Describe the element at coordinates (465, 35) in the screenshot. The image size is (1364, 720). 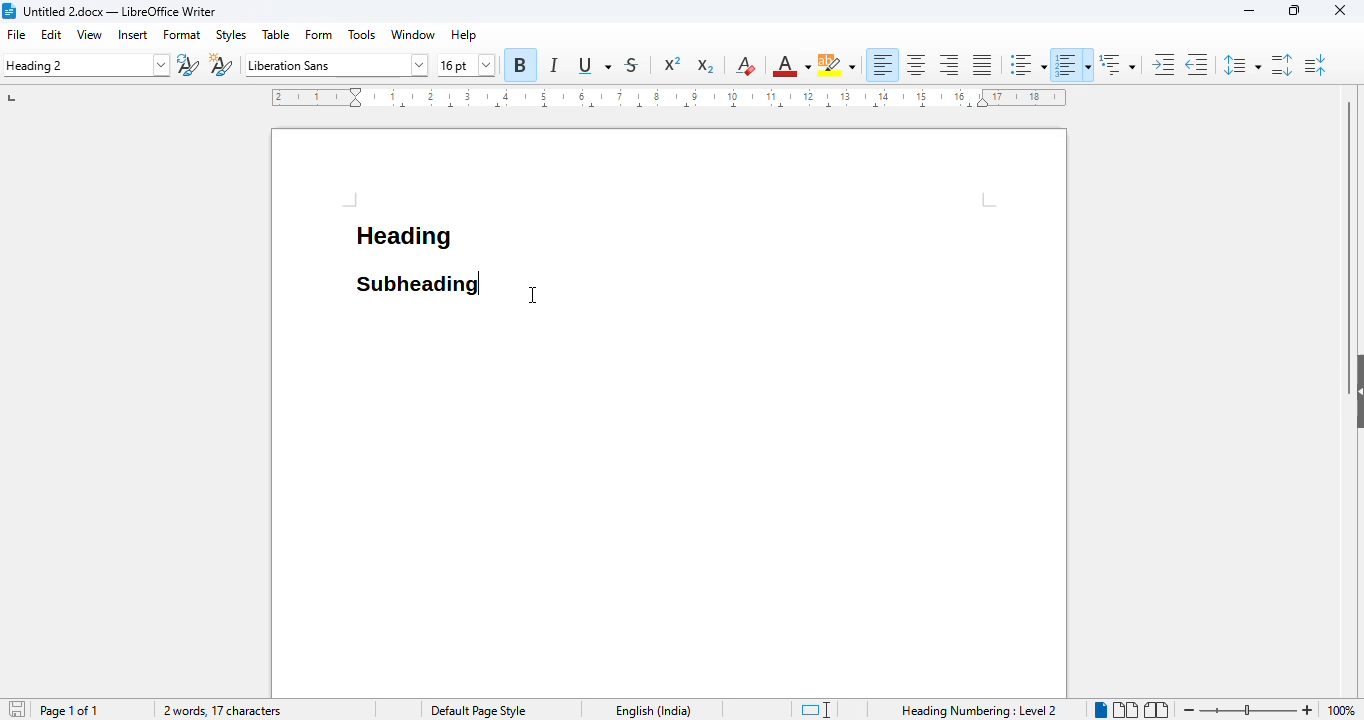
I see `help` at that location.